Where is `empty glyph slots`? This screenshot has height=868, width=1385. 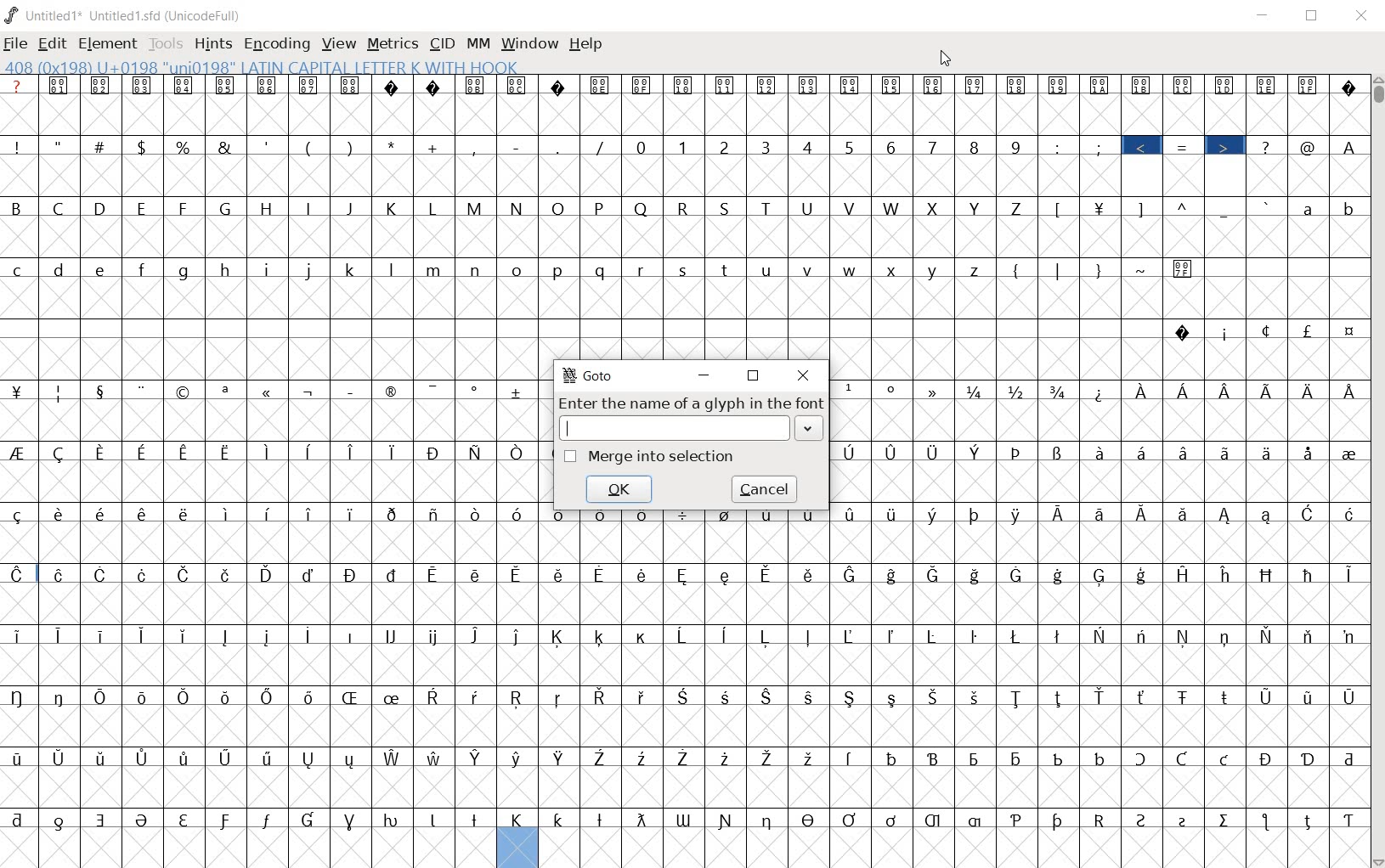
empty glyph slots is located at coordinates (1100, 481).